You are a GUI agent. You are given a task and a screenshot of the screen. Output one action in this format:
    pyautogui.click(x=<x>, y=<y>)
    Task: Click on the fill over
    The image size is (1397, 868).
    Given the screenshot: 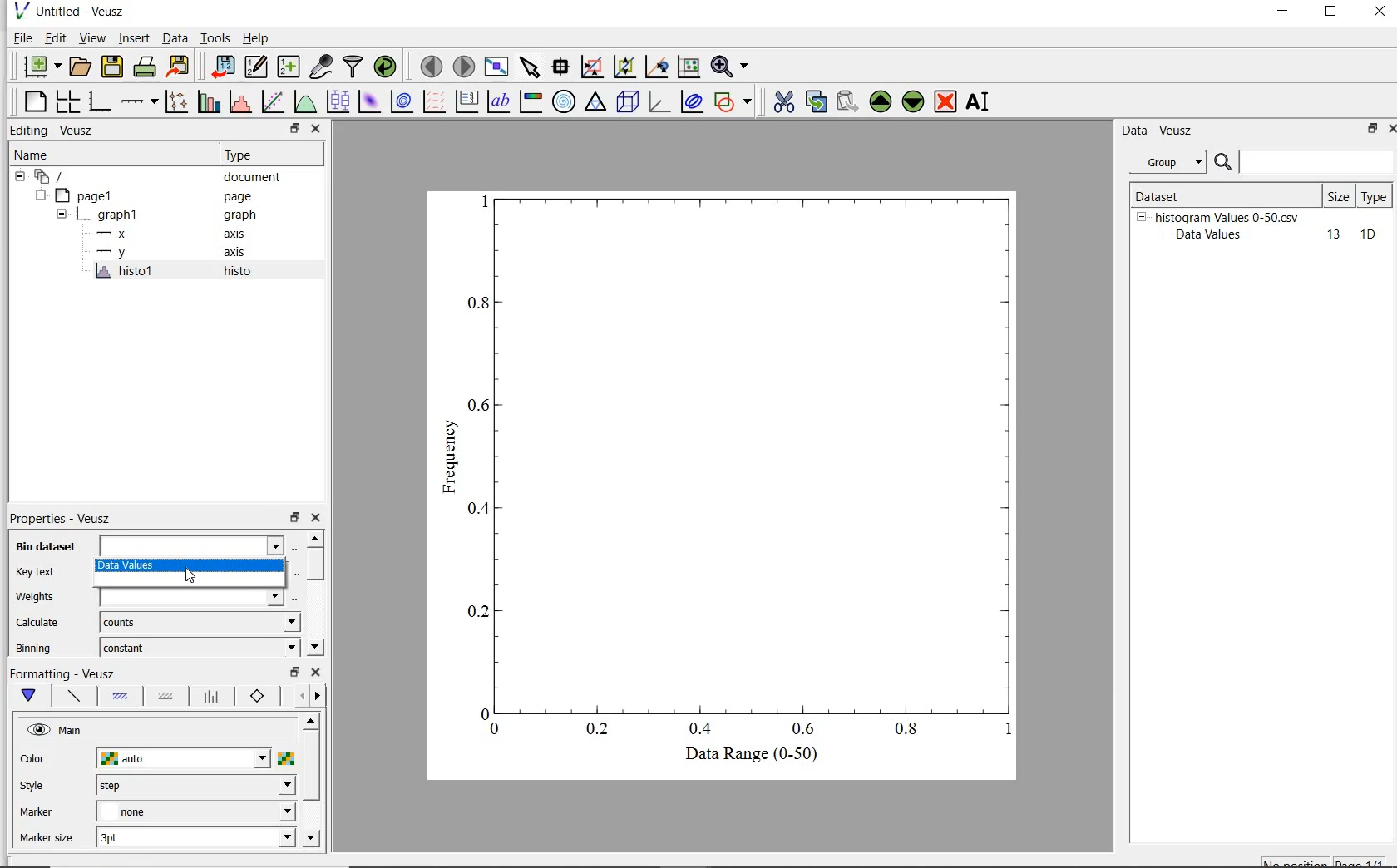 What is the action you would take?
    pyautogui.click(x=164, y=698)
    